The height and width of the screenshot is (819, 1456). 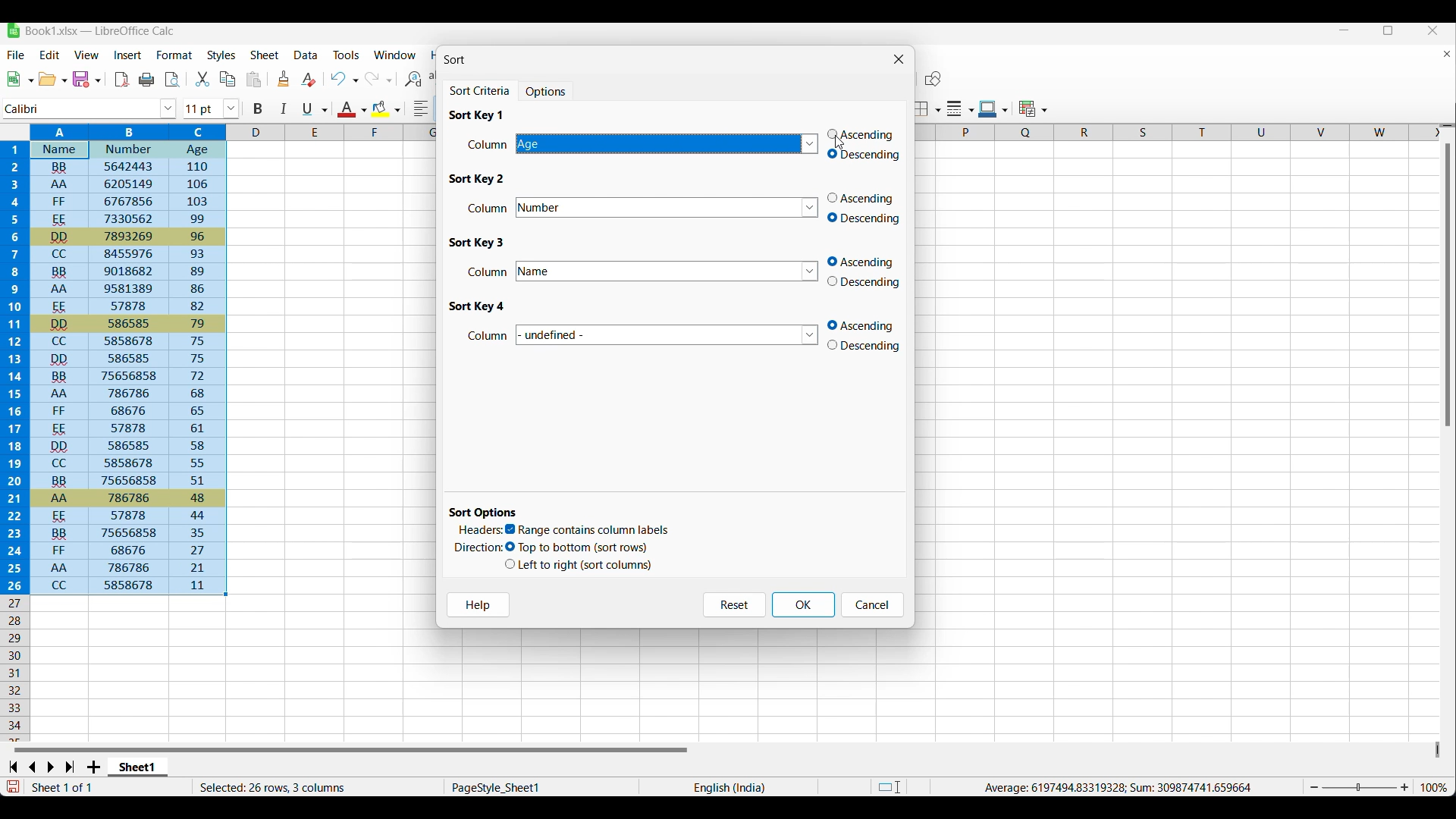 What do you see at coordinates (52, 79) in the screenshot?
I see `Open options` at bounding box center [52, 79].